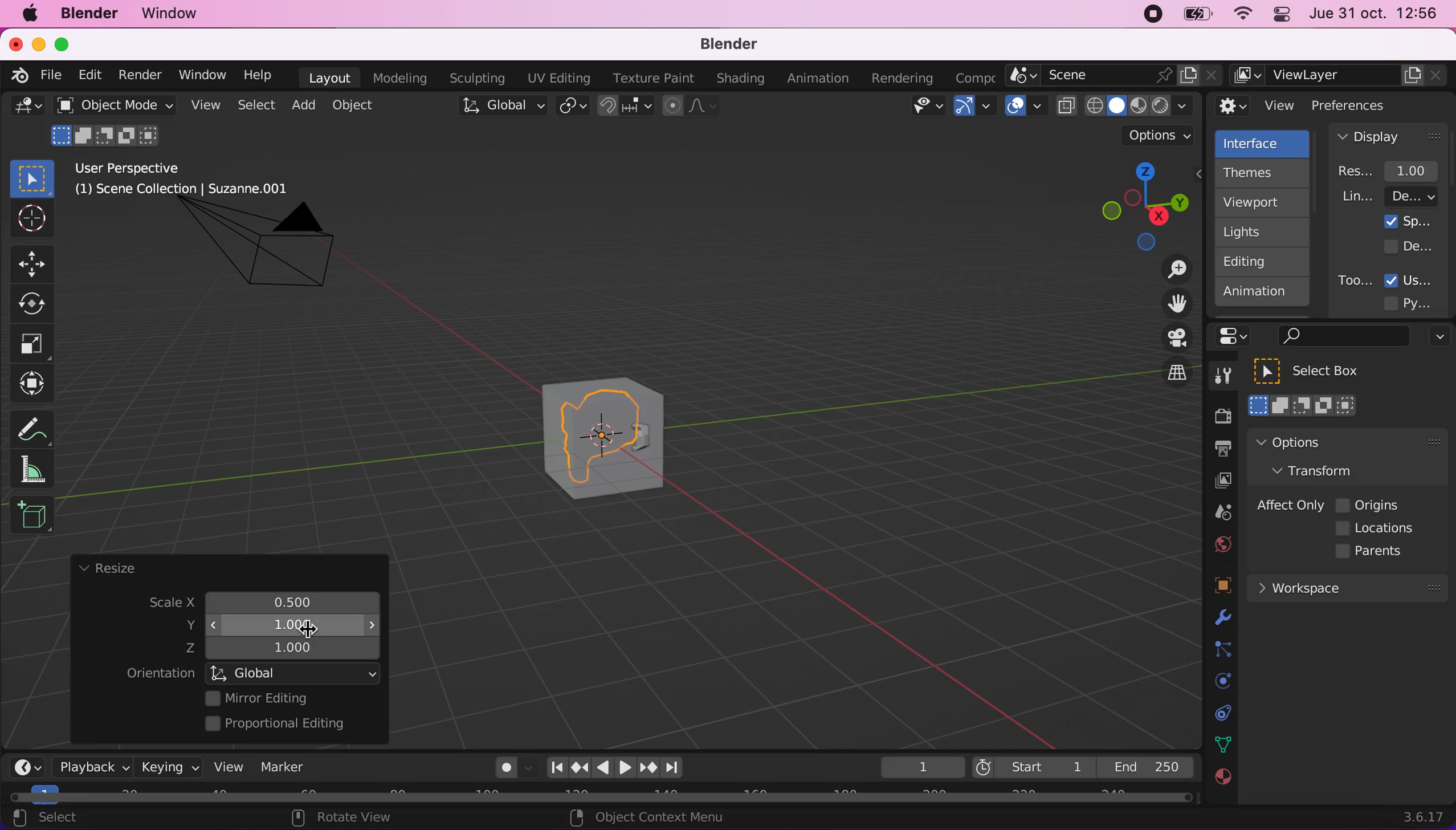  Describe the element at coordinates (272, 255) in the screenshot. I see `camera` at that location.